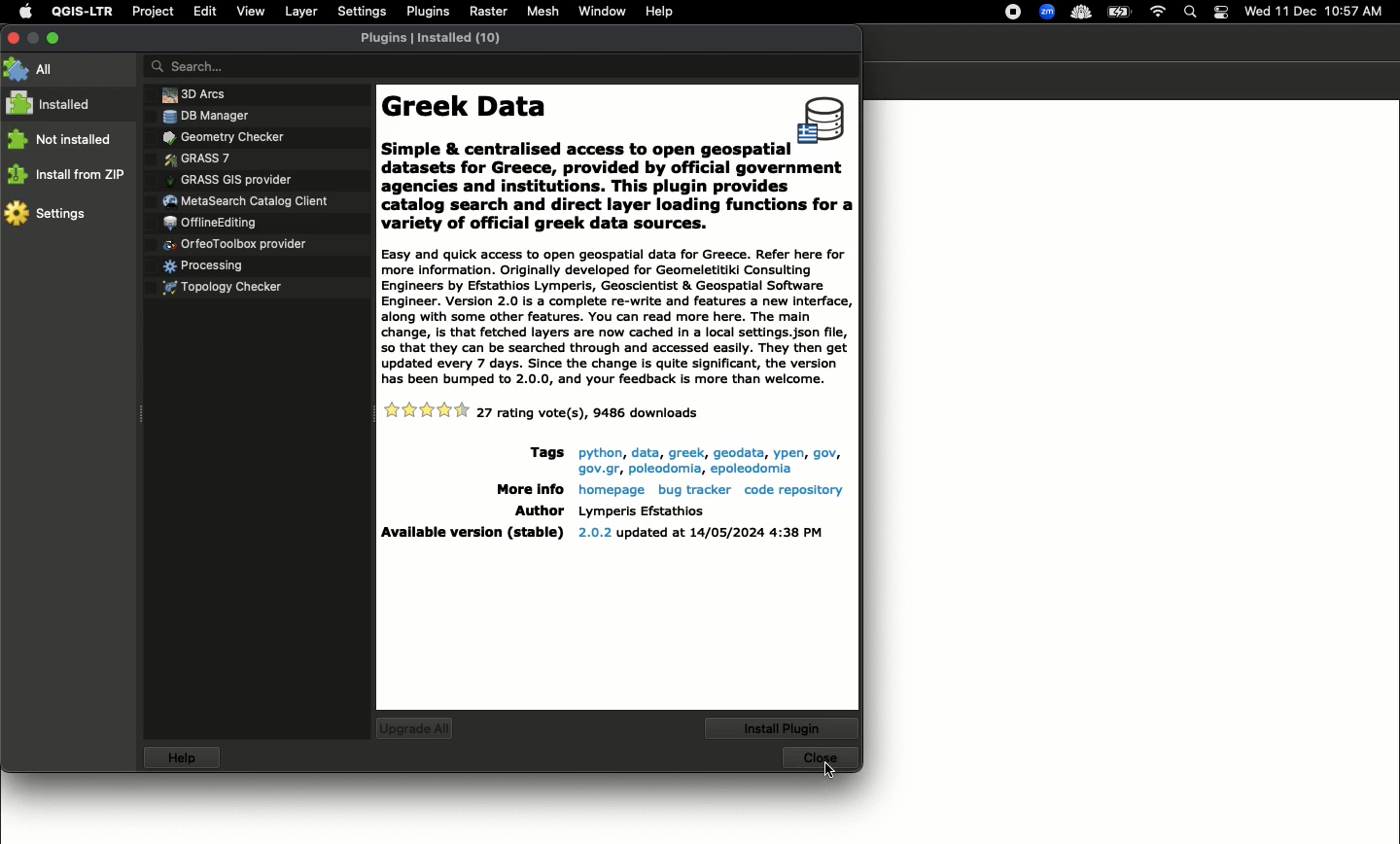 The width and height of the screenshot is (1400, 844). Describe the element at coordinates (641, 510) in the screenshot. I see `tezt` at that location.